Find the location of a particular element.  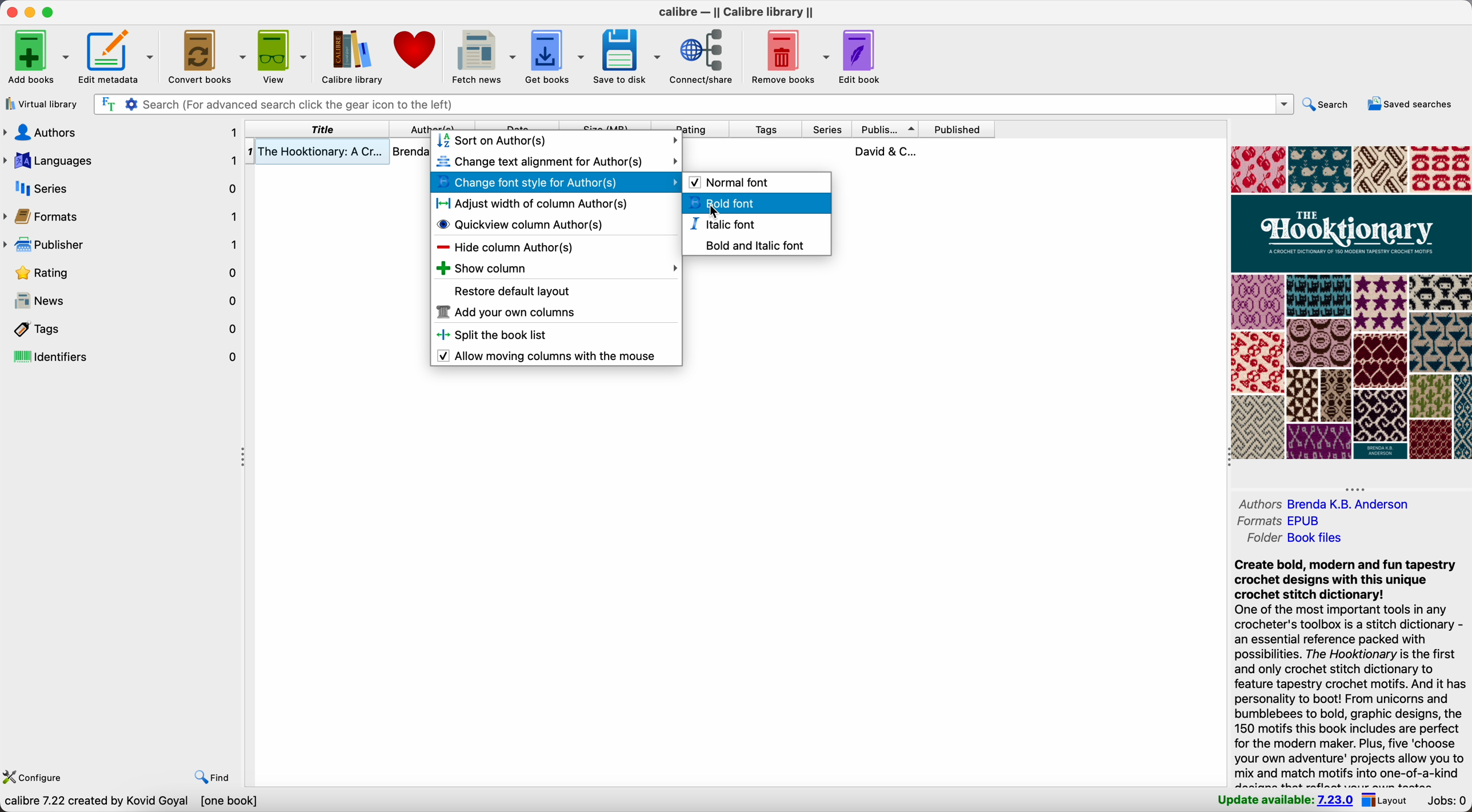

click on change front style for author(s) is located at coordinates (557, 183).